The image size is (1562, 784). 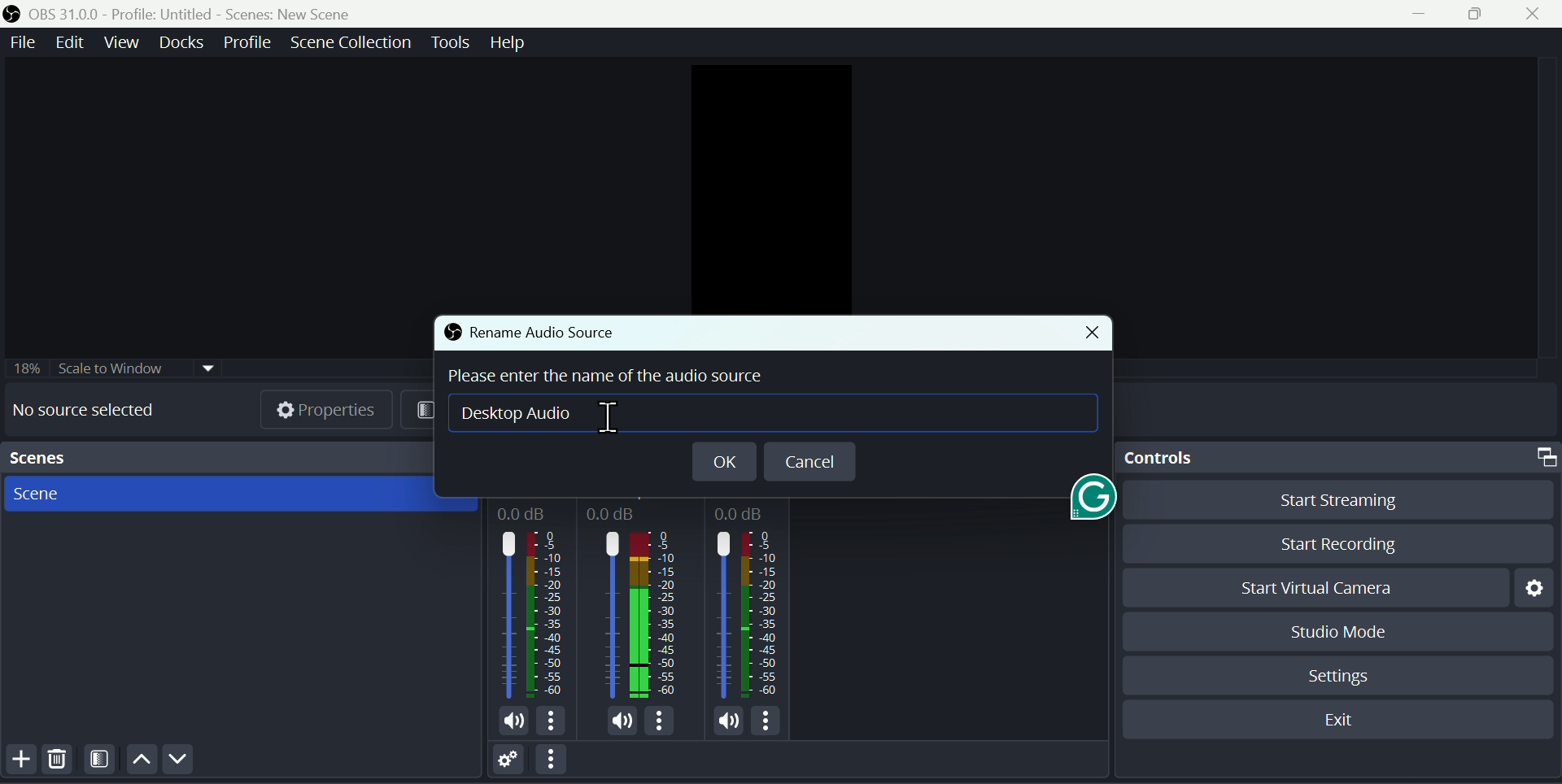 What do you see at coordinates (722, 460) in the screenshot?
I see `OK` at bounding box center [722, 460].